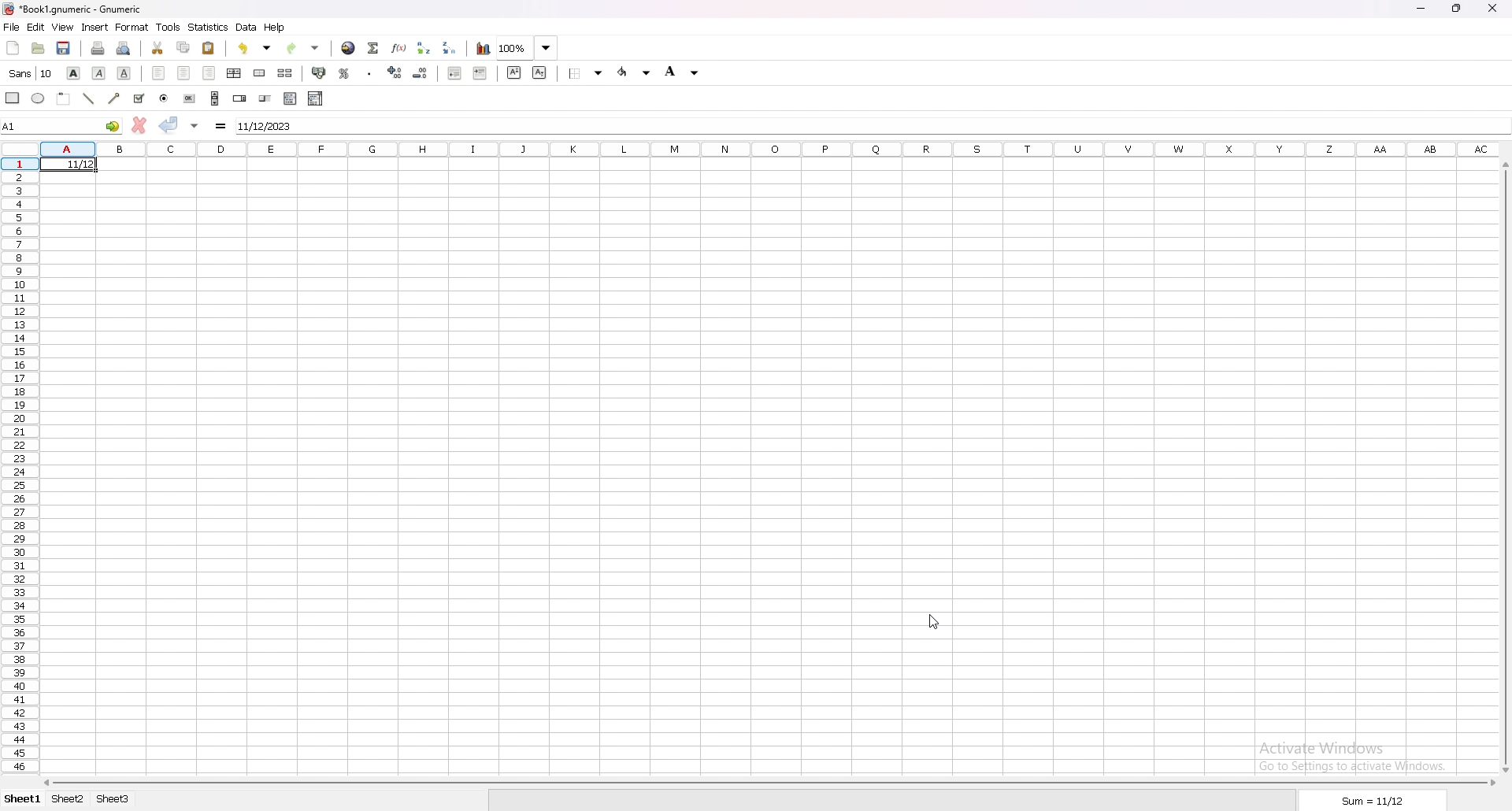  I want to click on increase indent, so click(481, 73).